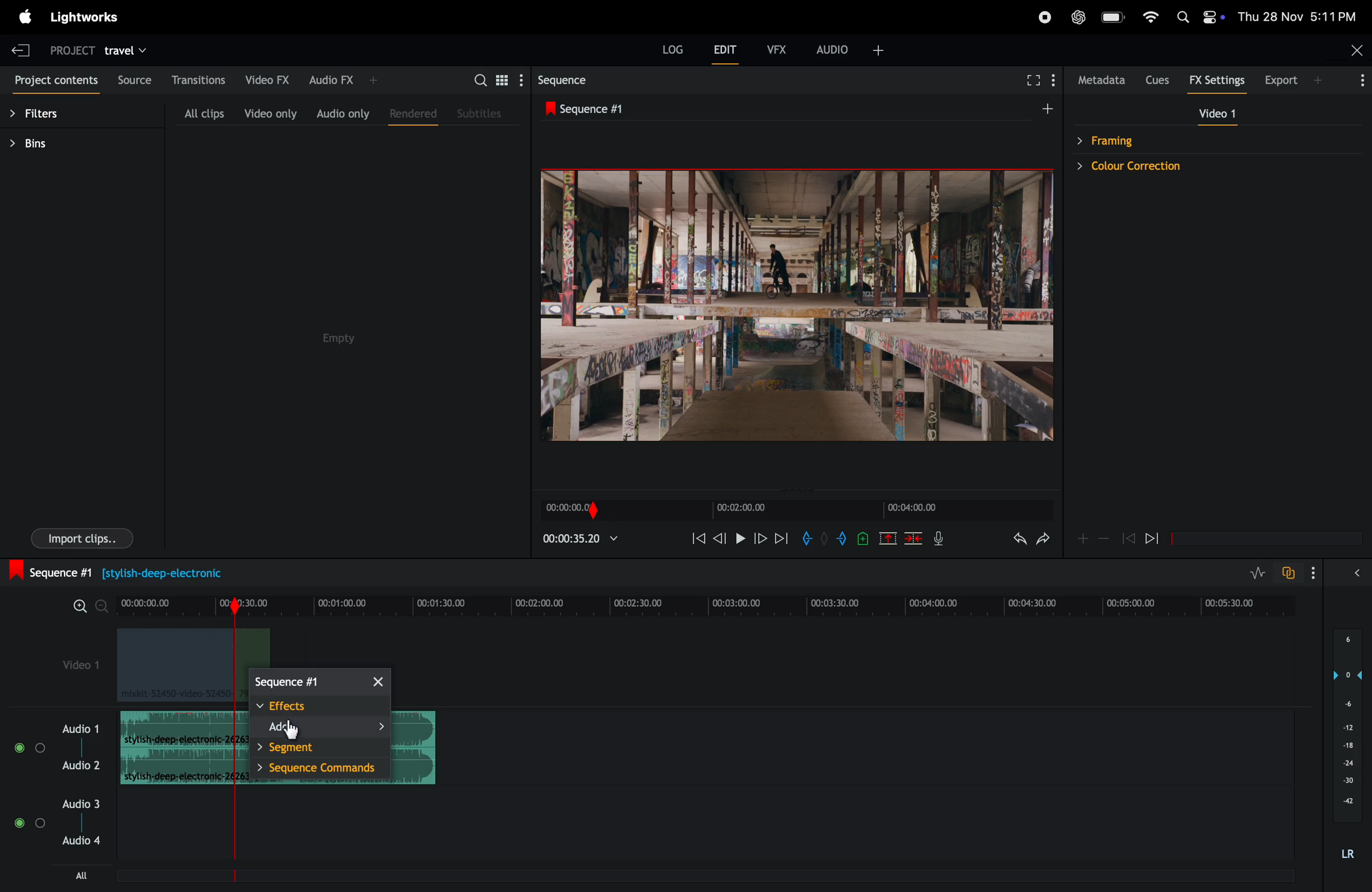 Image resolution: width=1372 pixels, height=892 pixels. What do you see at coordinates (1039, 112) in the screenshot?
I see `add` at bounding box center [1039, 112].